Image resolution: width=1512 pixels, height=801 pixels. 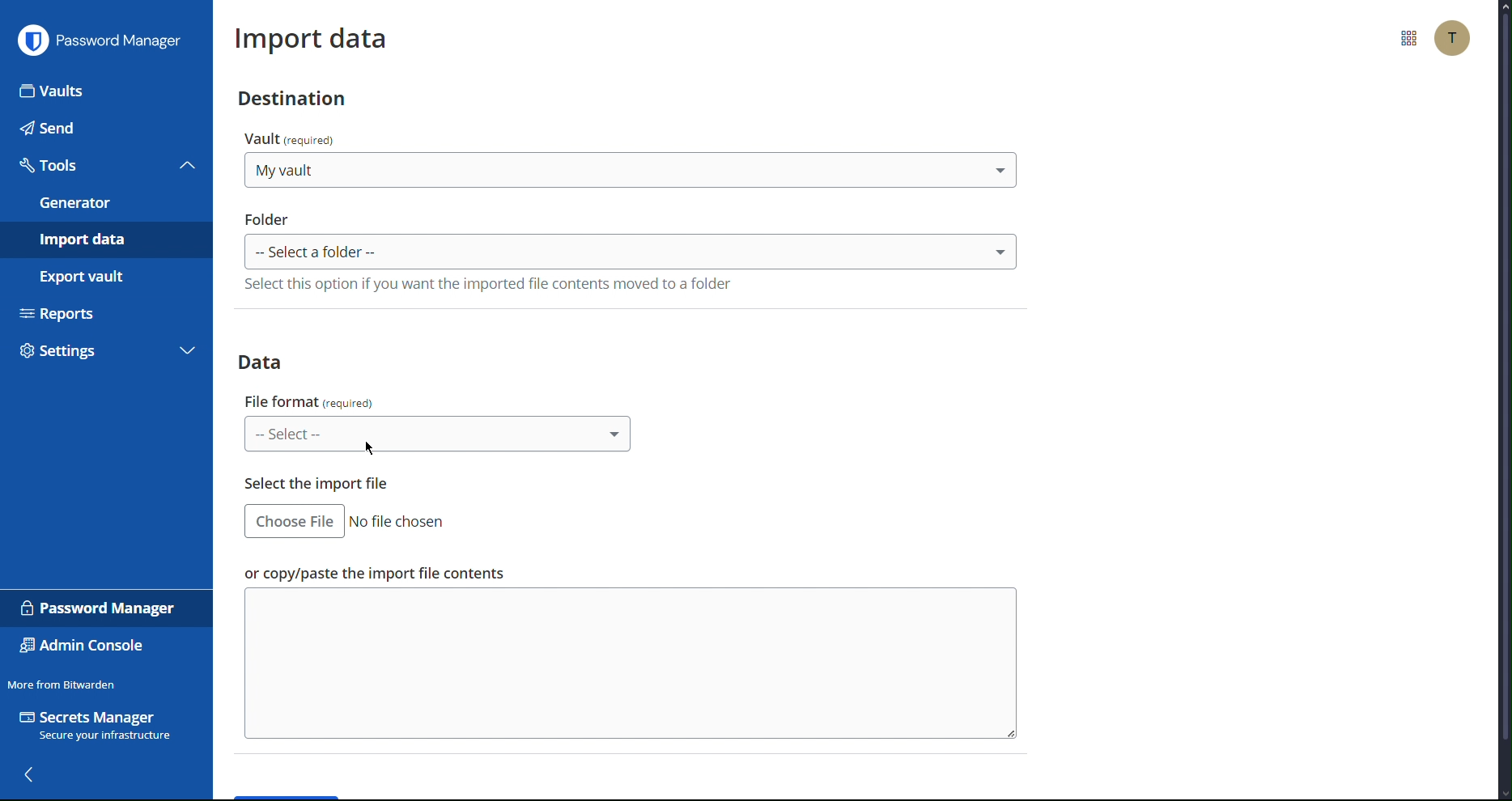 I want to click on copy/paste the import file contents, so click(x=374, y=571).